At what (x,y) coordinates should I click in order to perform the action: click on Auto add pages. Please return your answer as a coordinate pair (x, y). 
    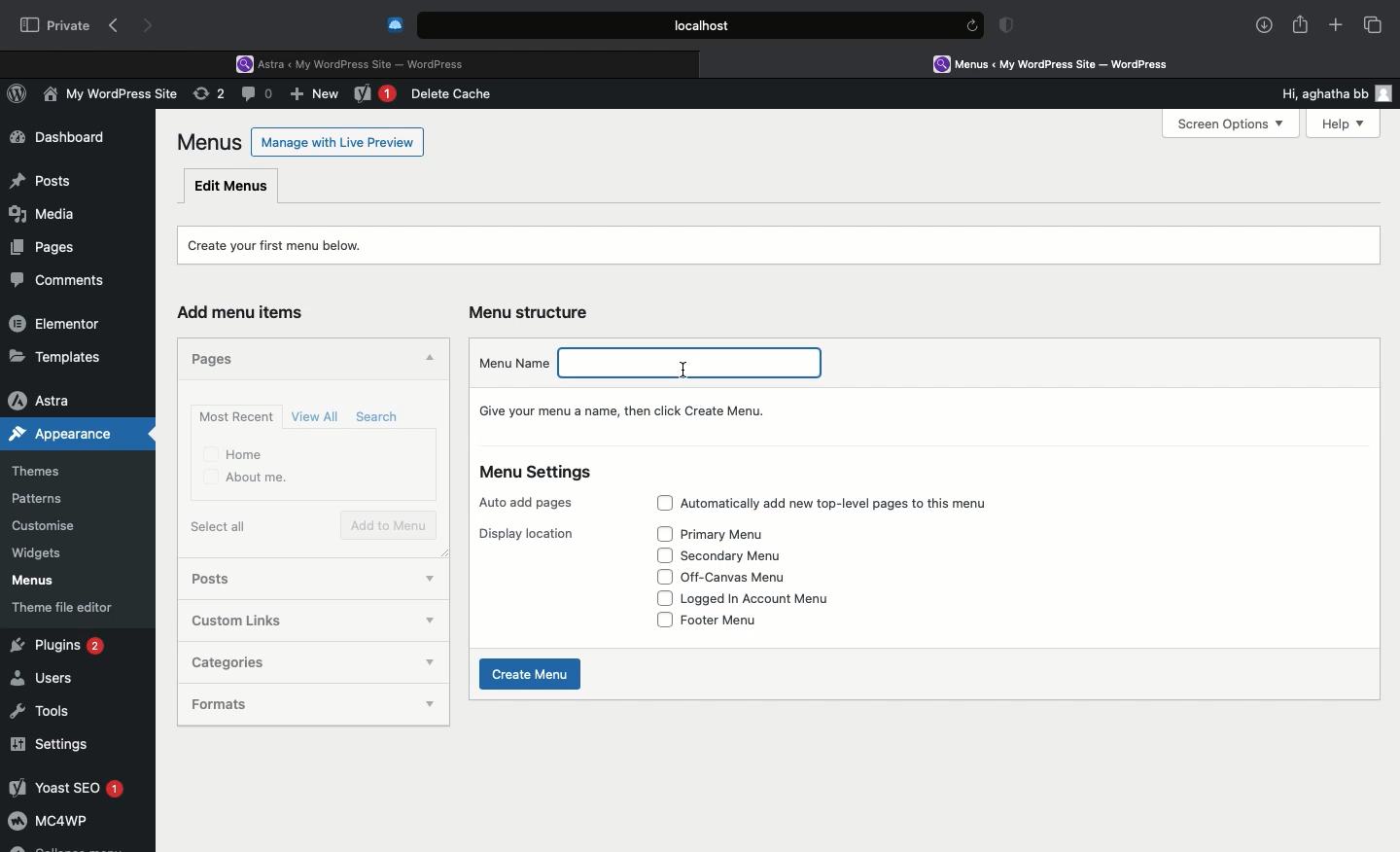
    Looking at the image, I should click on (530, 503).